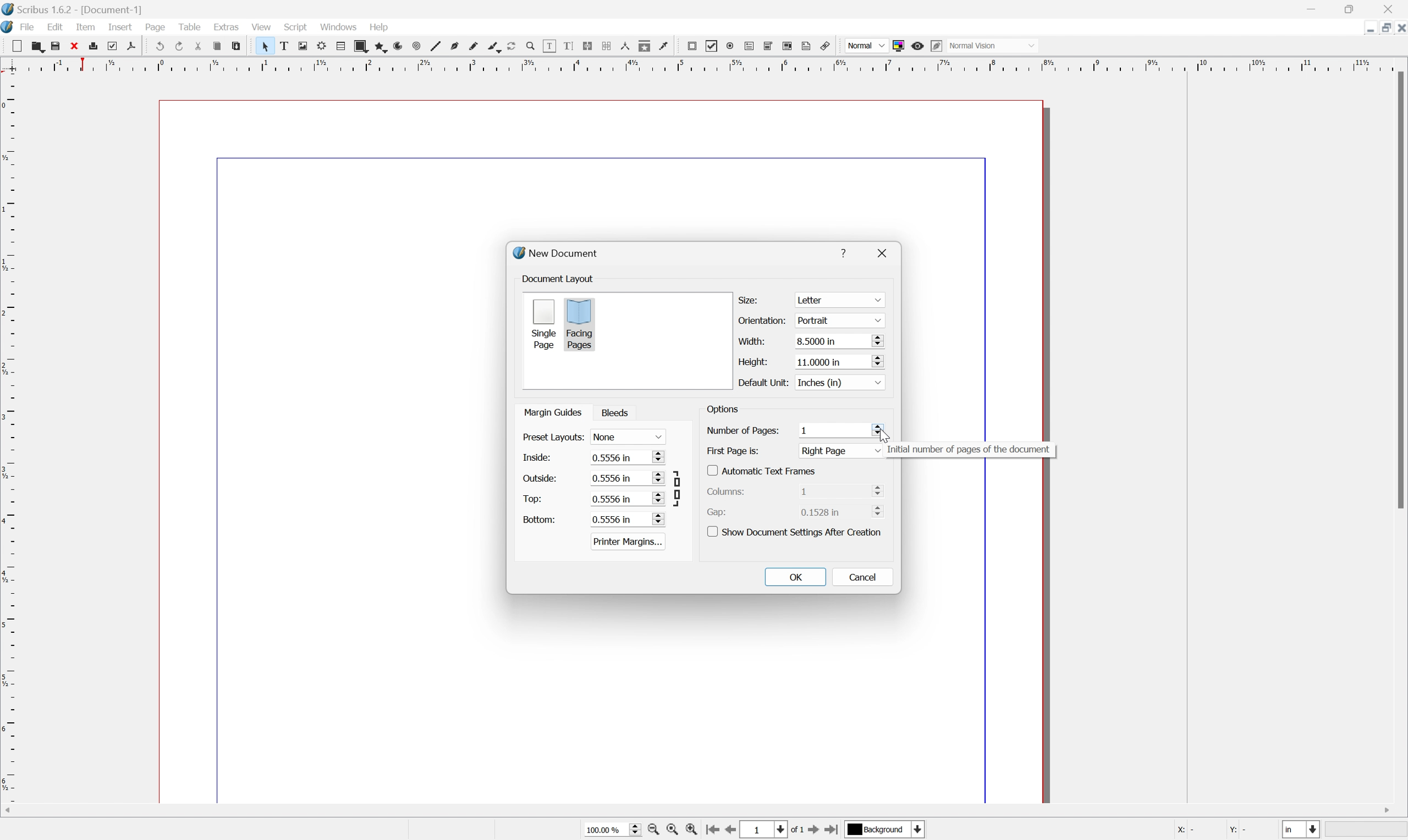 The width and height of the screenshot is (1408, 840). I want to click on Edit text with story editor, so click(570, 46).